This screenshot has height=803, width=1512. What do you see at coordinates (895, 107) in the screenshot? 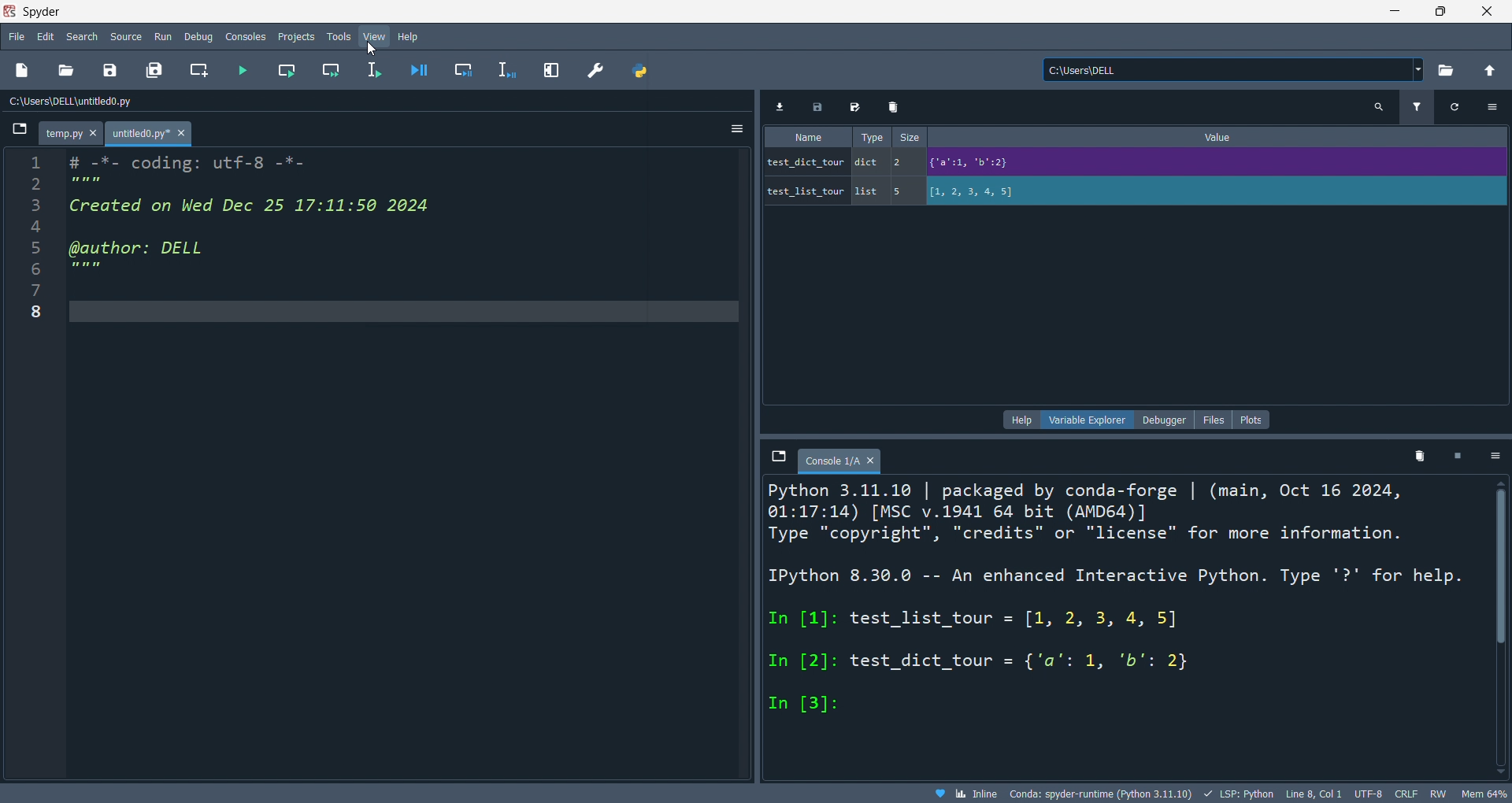
I see `delete` at bounding box center [895, 107].